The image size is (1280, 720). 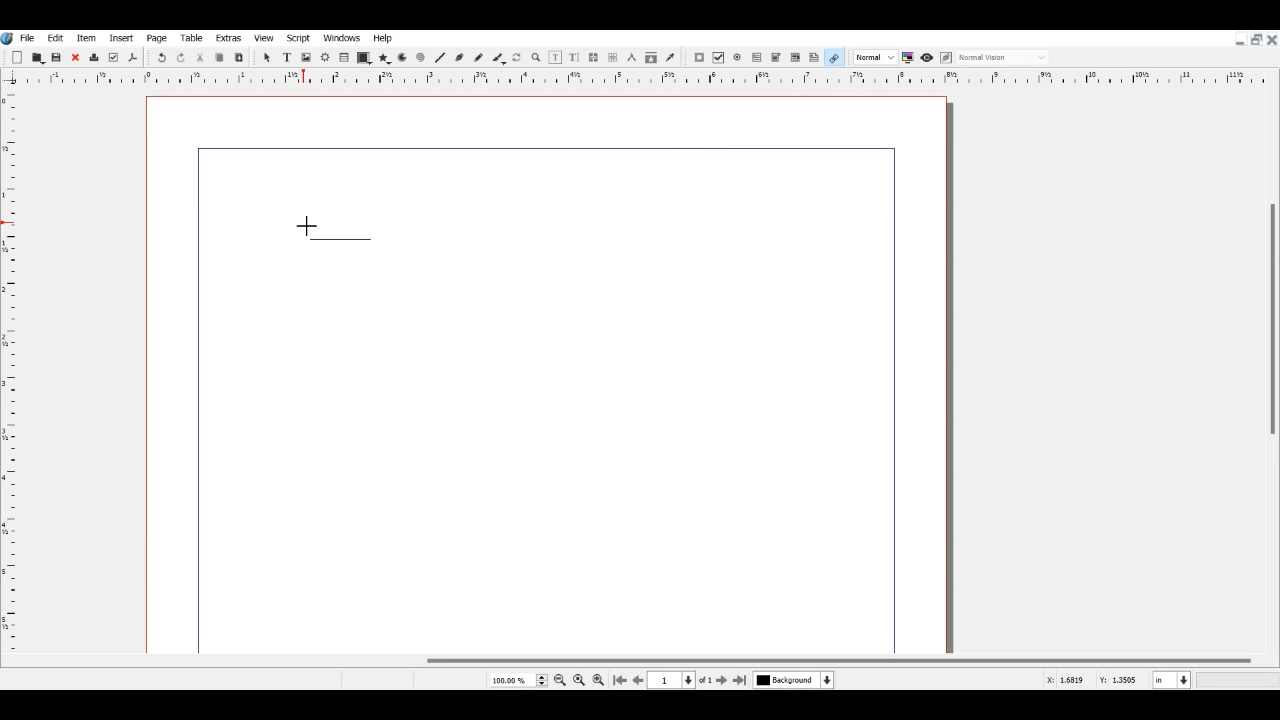 I want to click on Page, so click(x=157, y=38).